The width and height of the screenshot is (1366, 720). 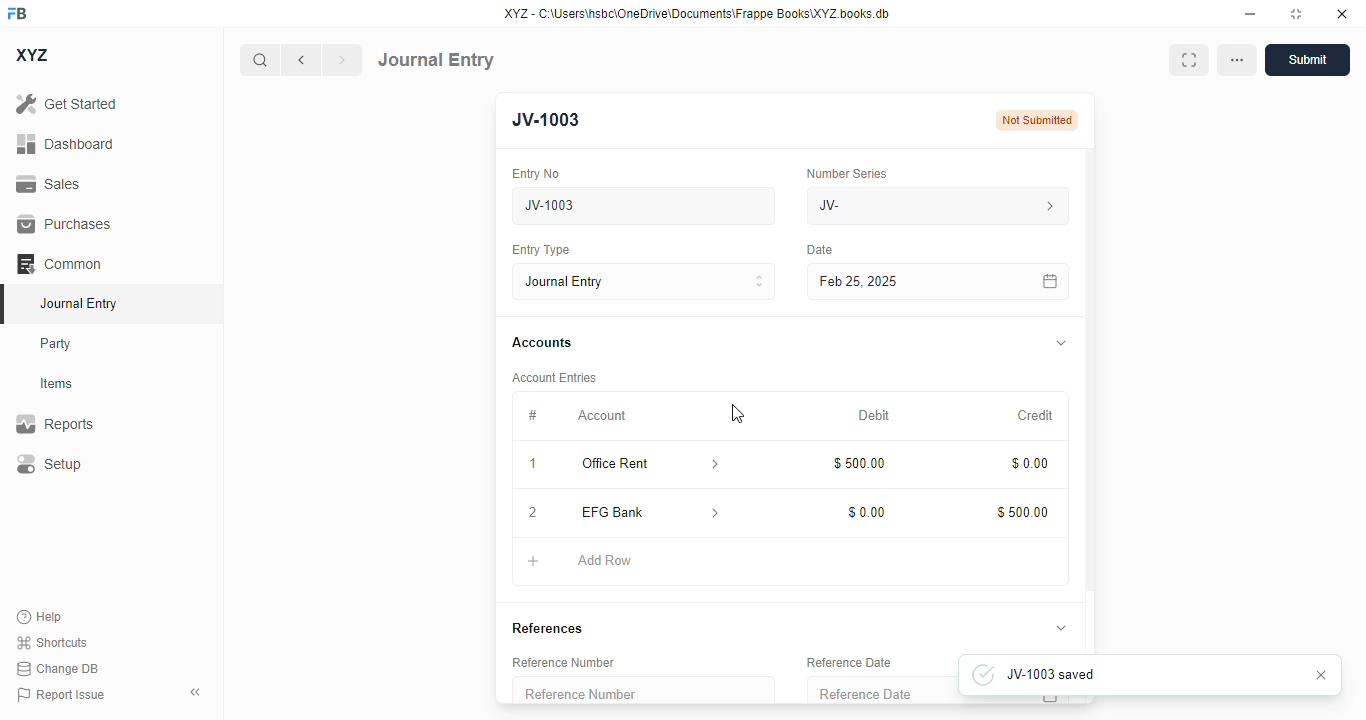 I want to click on account entries, so click(x=554, y=377).